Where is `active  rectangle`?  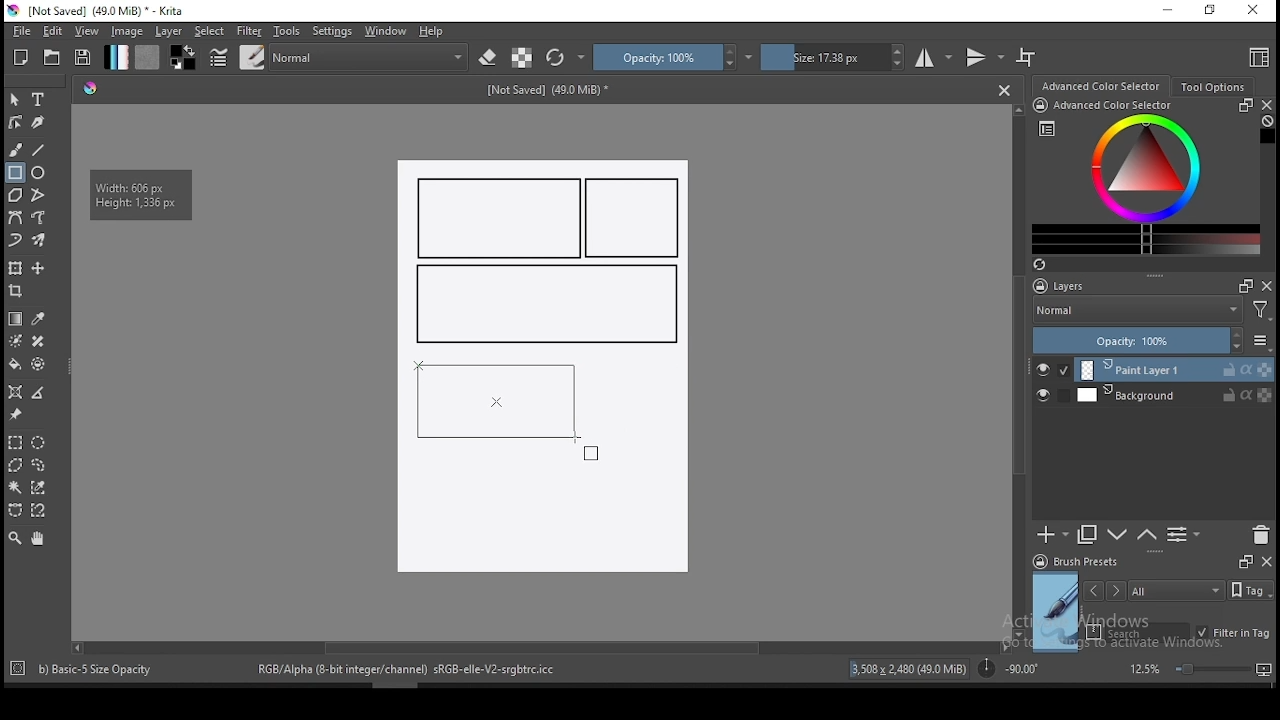
active  rectangle is located at coordinates (492, 401).